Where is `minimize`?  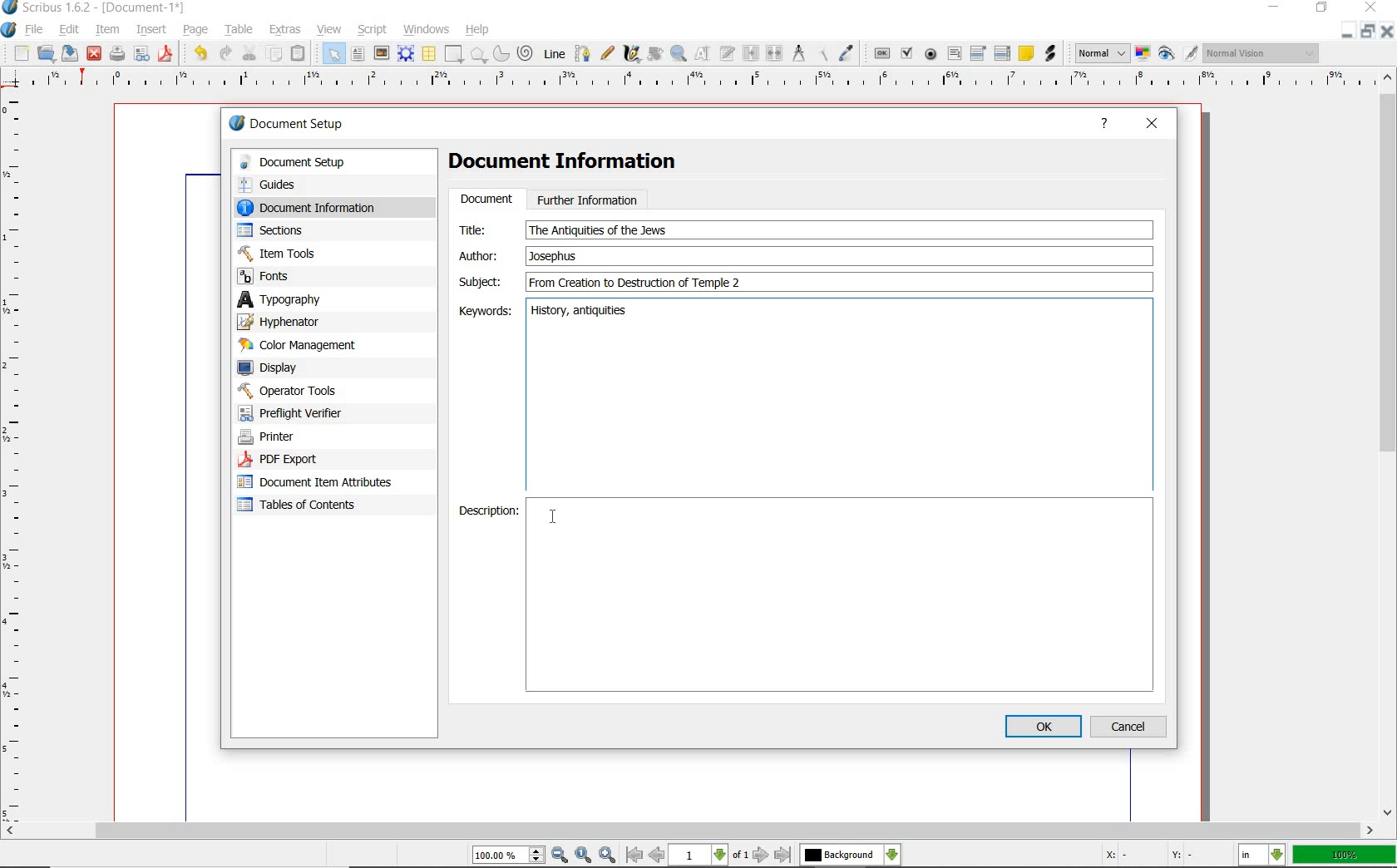
minimize is located at coordinates (1349, 27).